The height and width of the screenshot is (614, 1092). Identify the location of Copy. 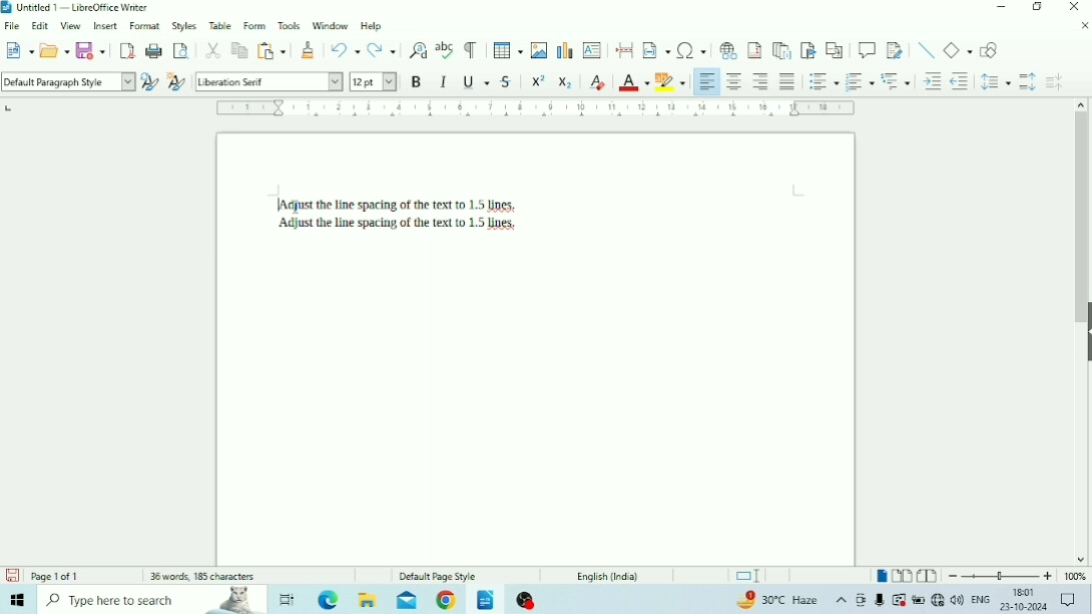
(239, 49).